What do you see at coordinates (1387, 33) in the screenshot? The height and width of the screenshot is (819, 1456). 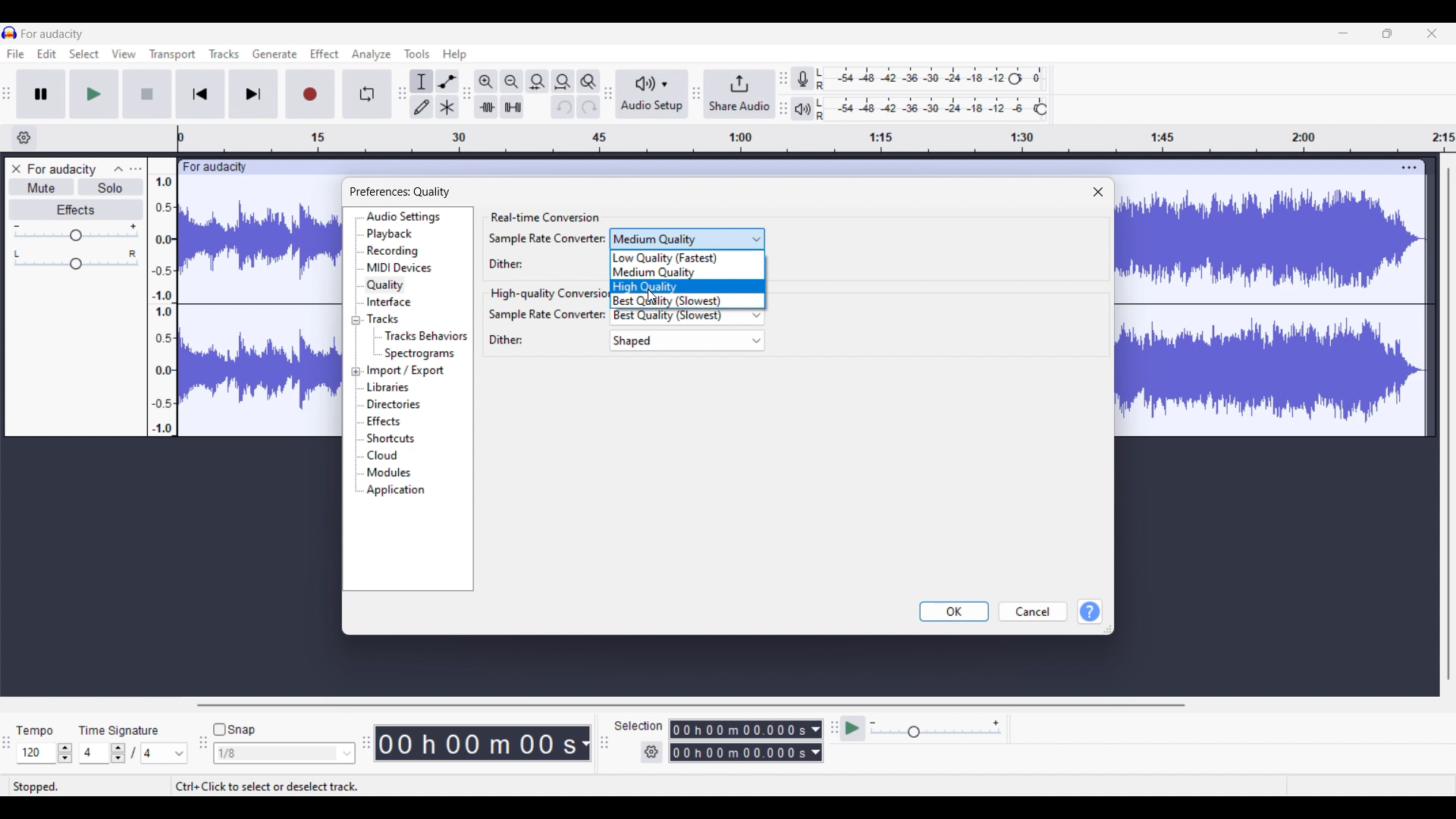 I see `Show in smaller tab` at bounding box center [1387, 33].